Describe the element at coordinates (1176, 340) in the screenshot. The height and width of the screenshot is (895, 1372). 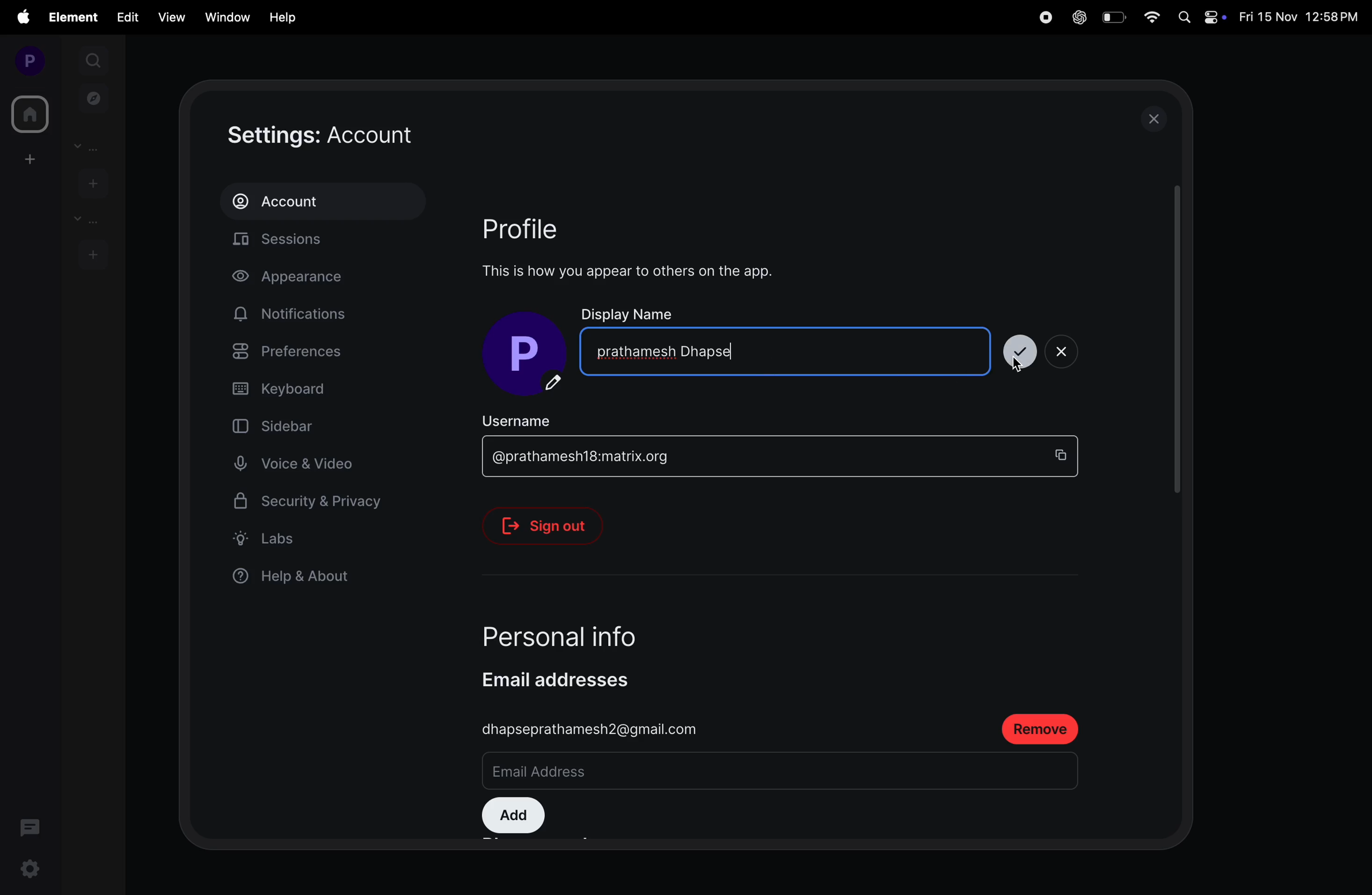
I see `scrollbar` at that location.